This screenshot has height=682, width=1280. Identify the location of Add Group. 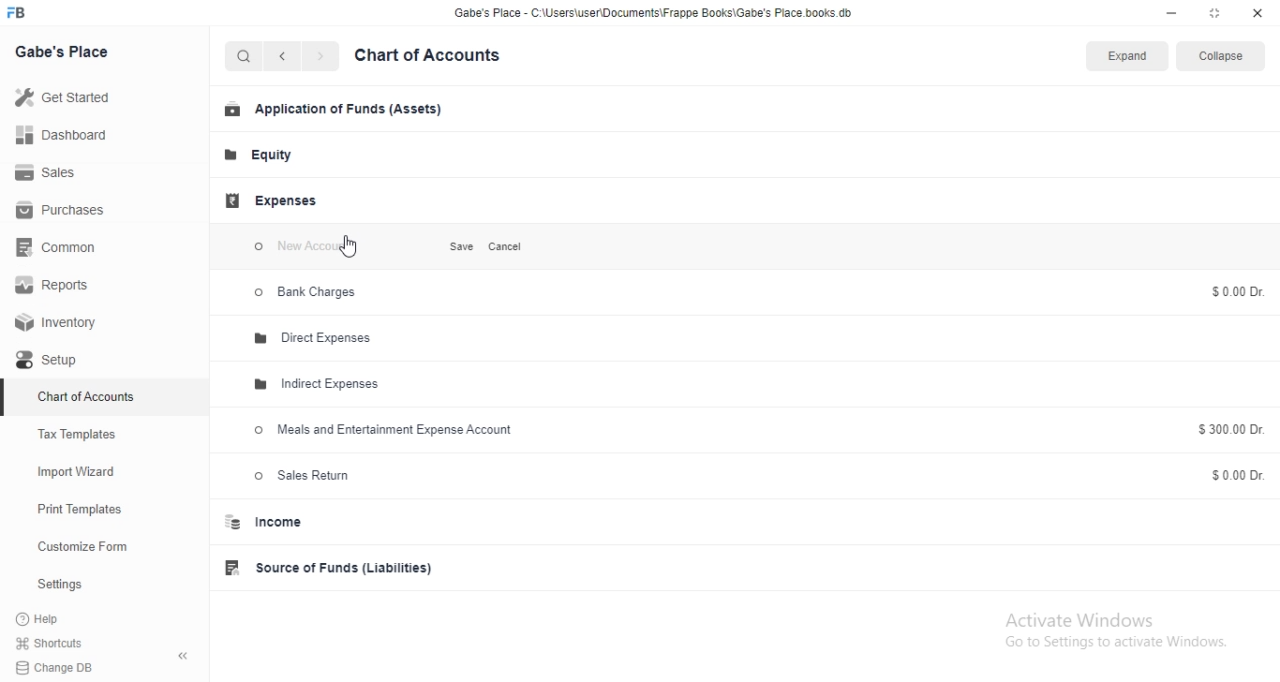
(438, 203).